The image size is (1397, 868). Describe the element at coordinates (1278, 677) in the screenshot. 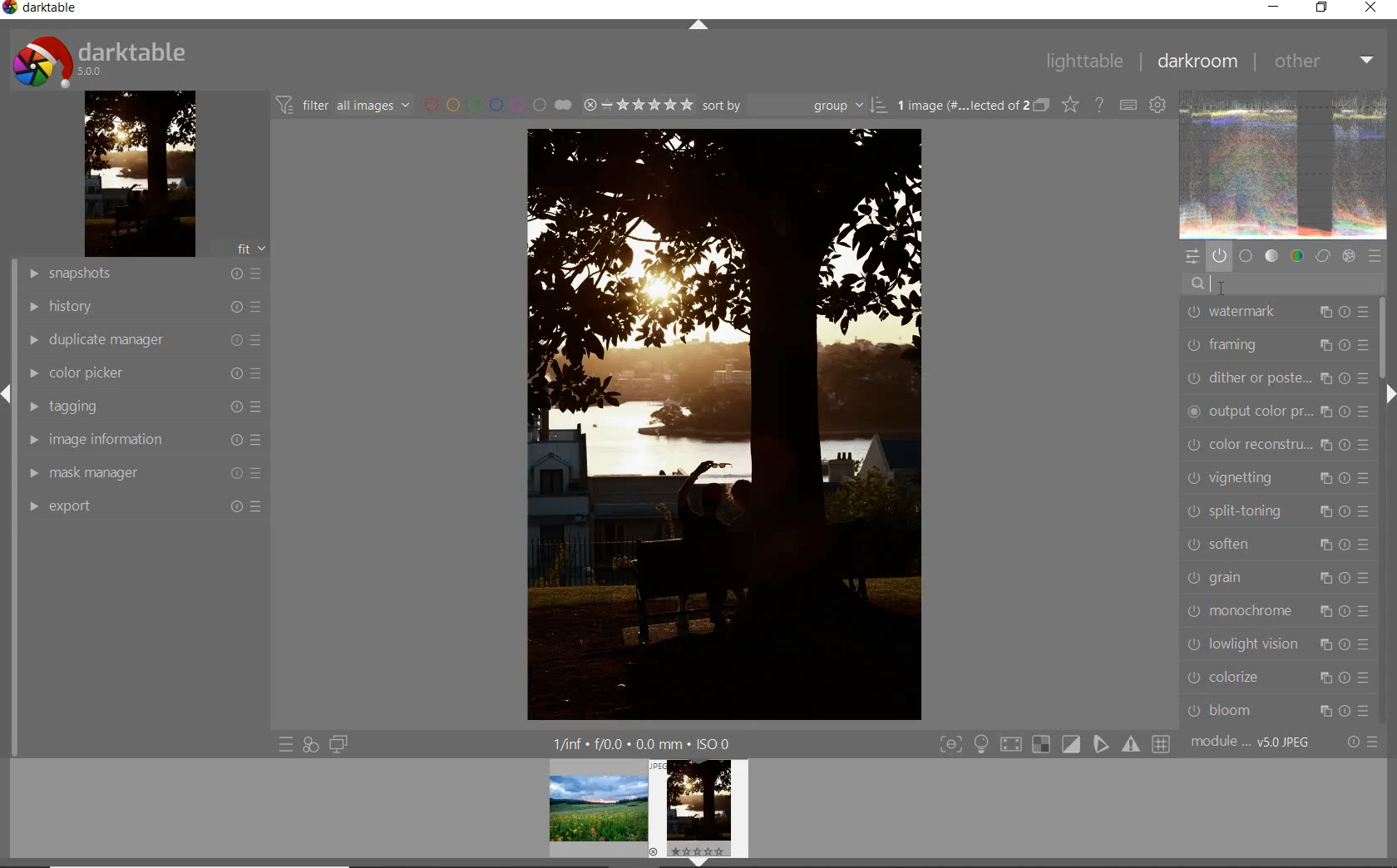

I see `colorize` at that location.